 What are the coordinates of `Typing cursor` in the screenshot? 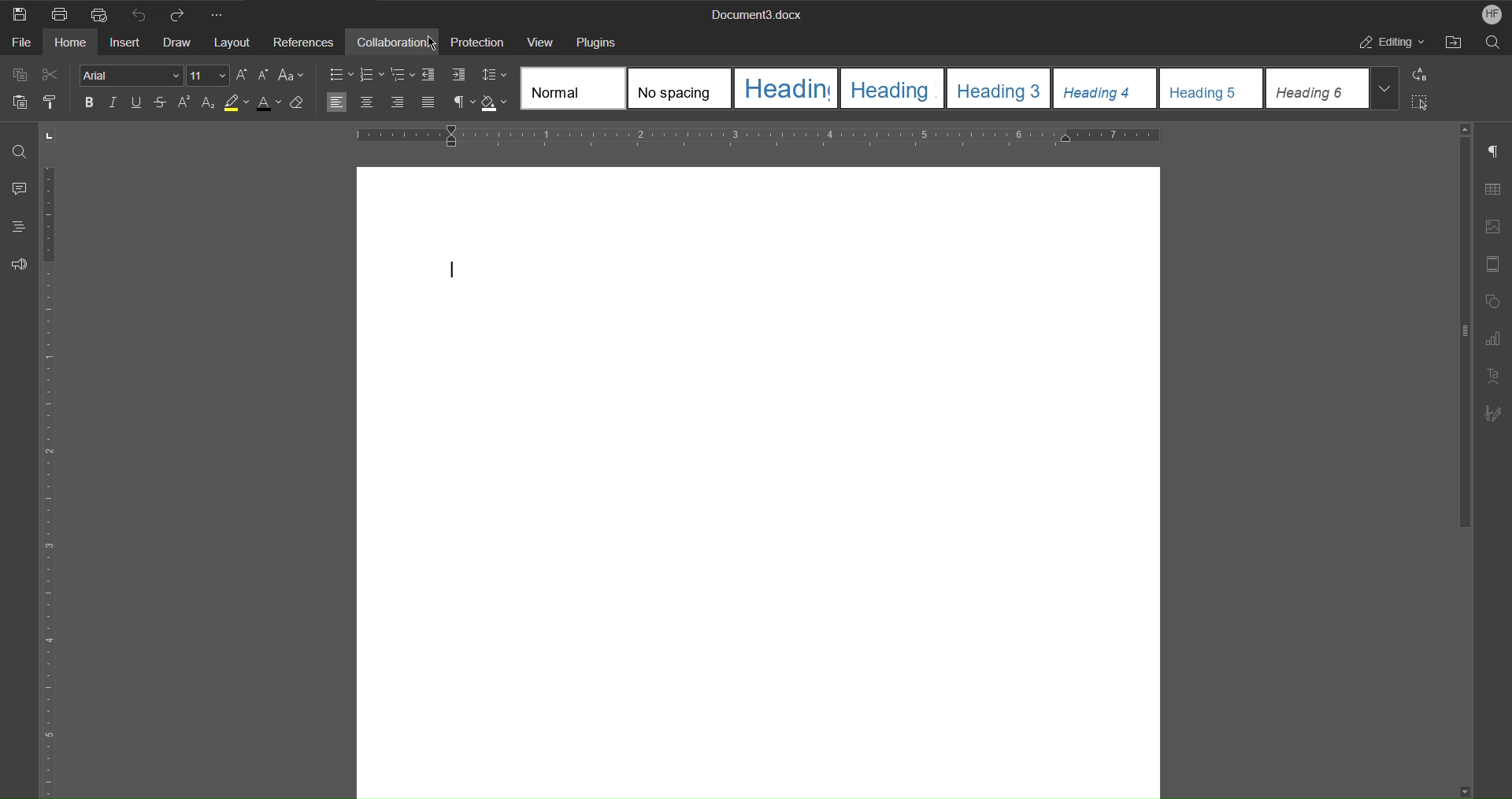 It's located at (452, 272).